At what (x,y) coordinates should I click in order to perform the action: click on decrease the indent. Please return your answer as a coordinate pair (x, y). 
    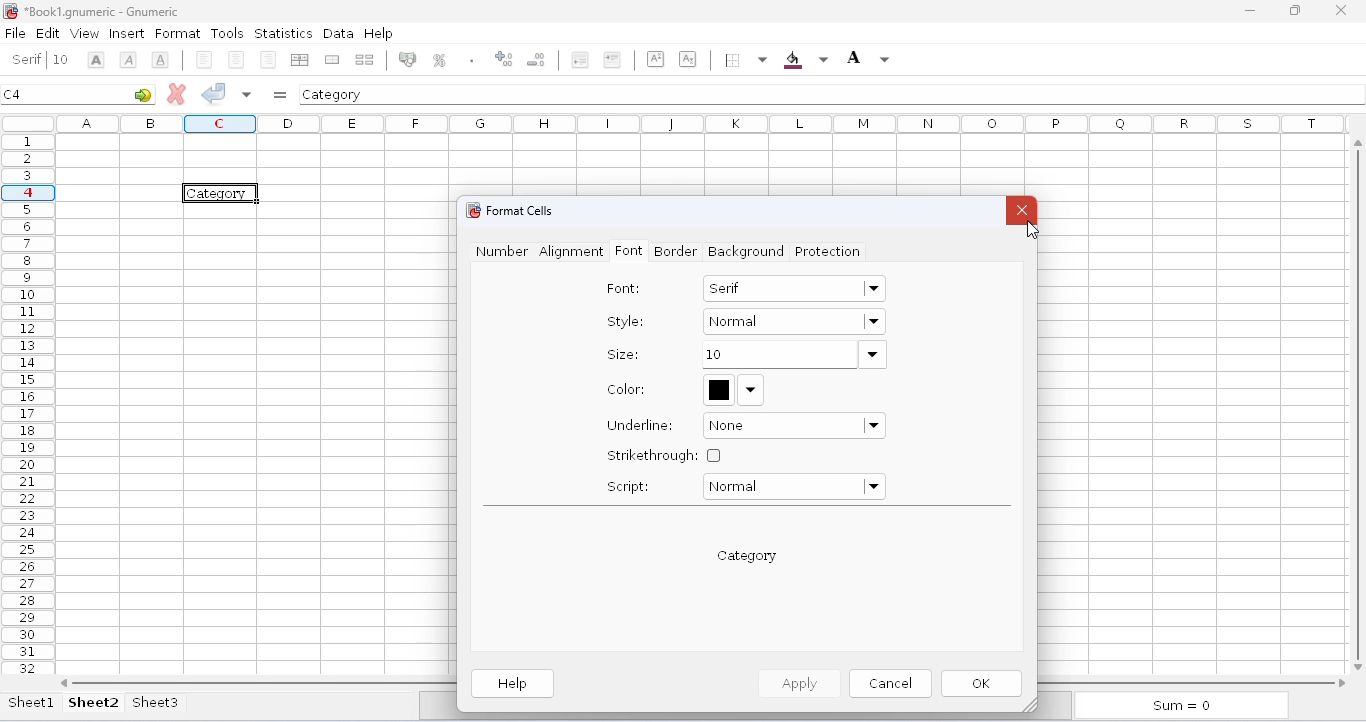
    Looking at the image, I should click on (616, 59).